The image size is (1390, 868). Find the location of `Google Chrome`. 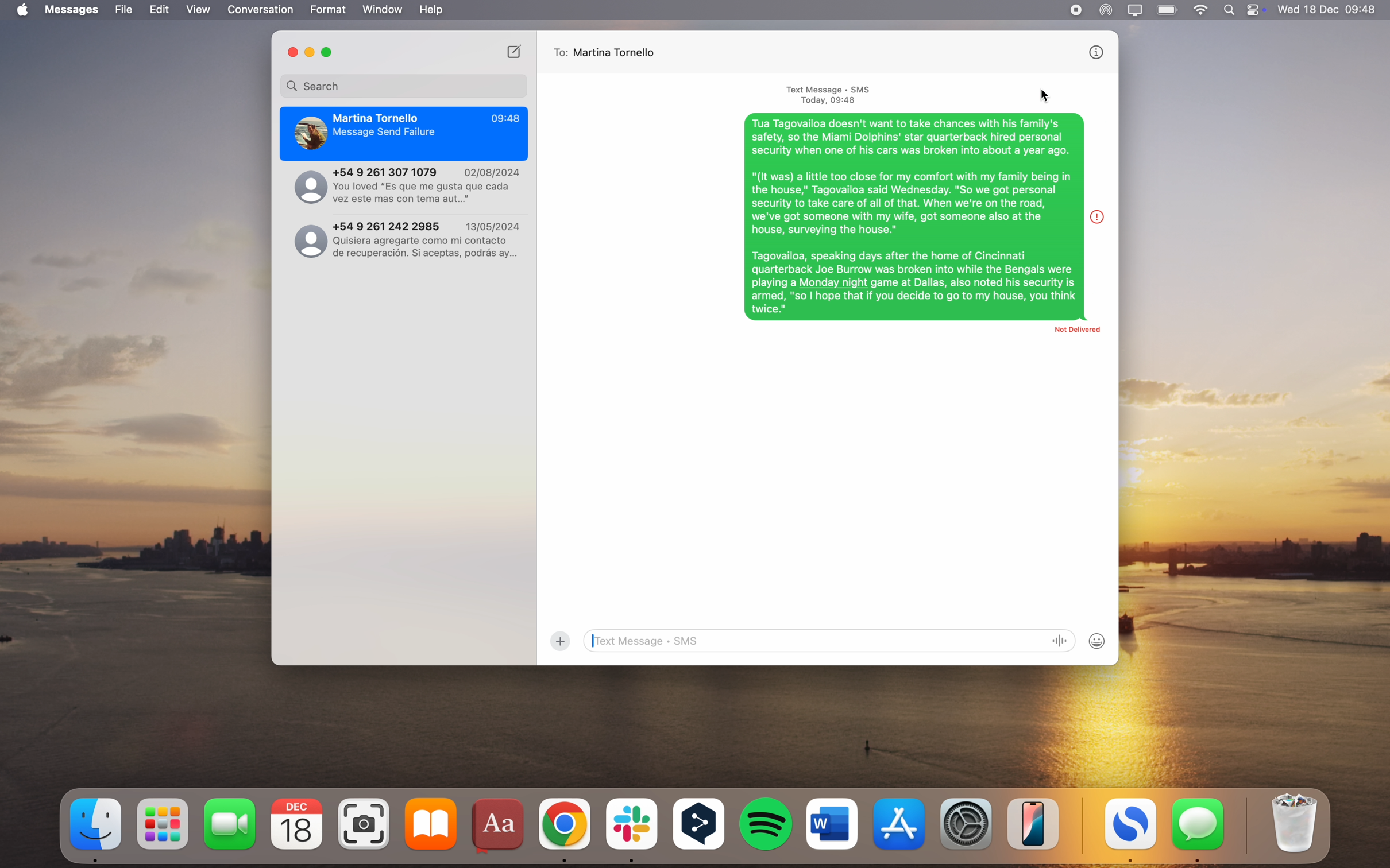

Google Chrome is located at coordinates (565, 828).